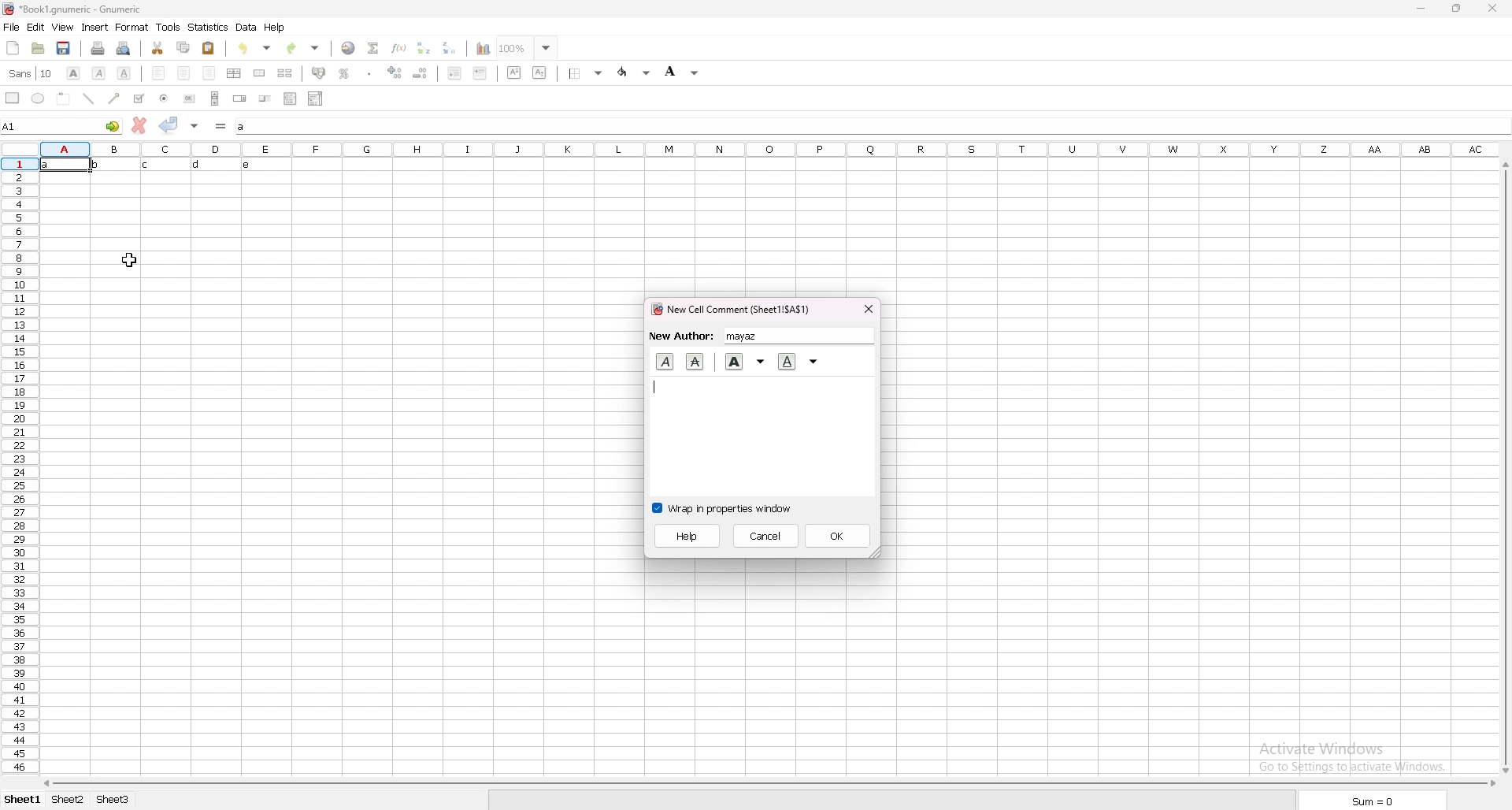 This screenshot has height=810, width=1512. Describe the element at coordinates (695, 361) in the screenshot. I see `cut text` at that location.